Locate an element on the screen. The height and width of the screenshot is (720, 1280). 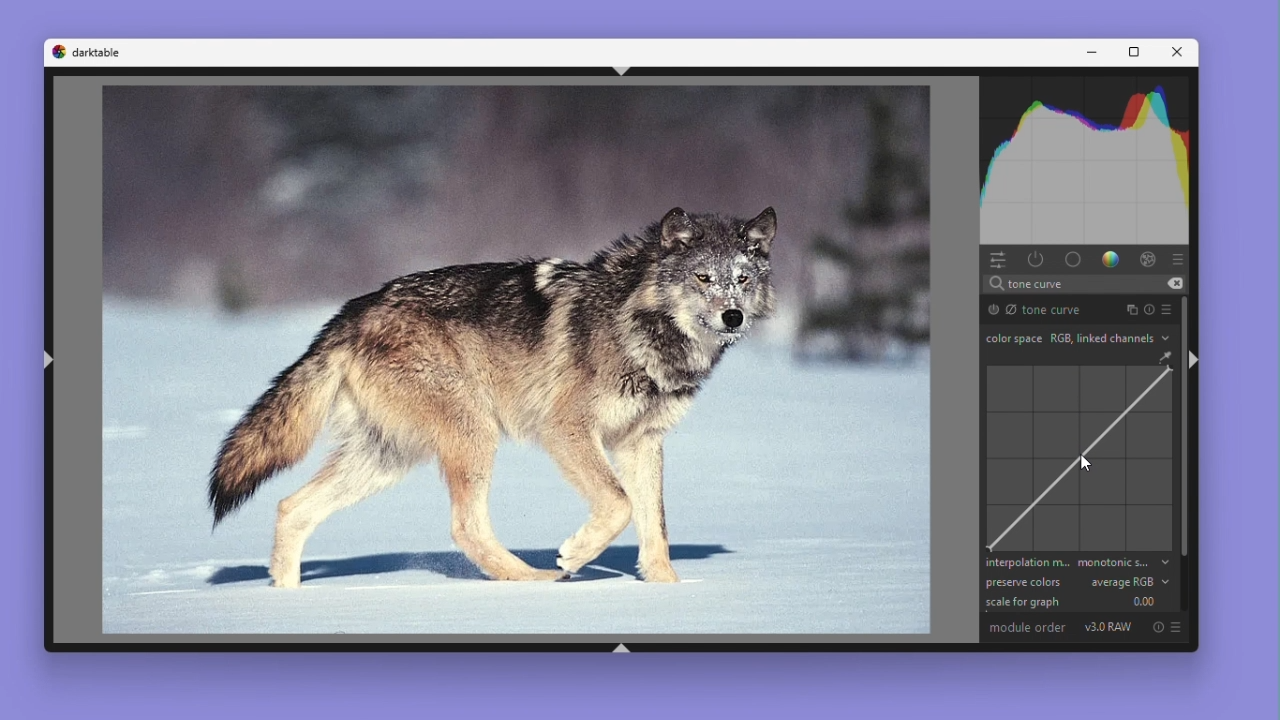
GUI Color Picker is located at coordinates (1163, 358).